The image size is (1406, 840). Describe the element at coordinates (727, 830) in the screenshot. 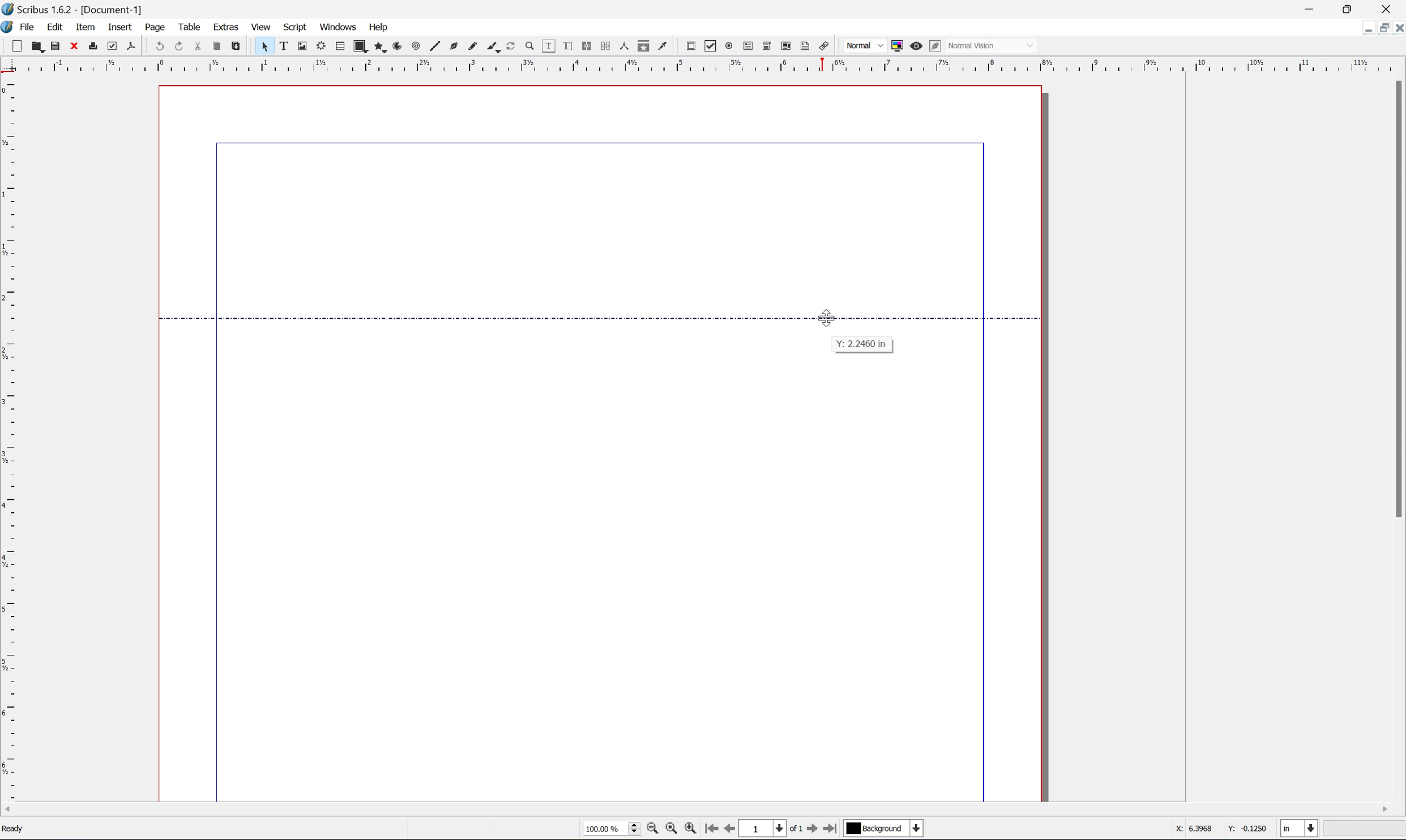

I see `go to previous page` at that location.